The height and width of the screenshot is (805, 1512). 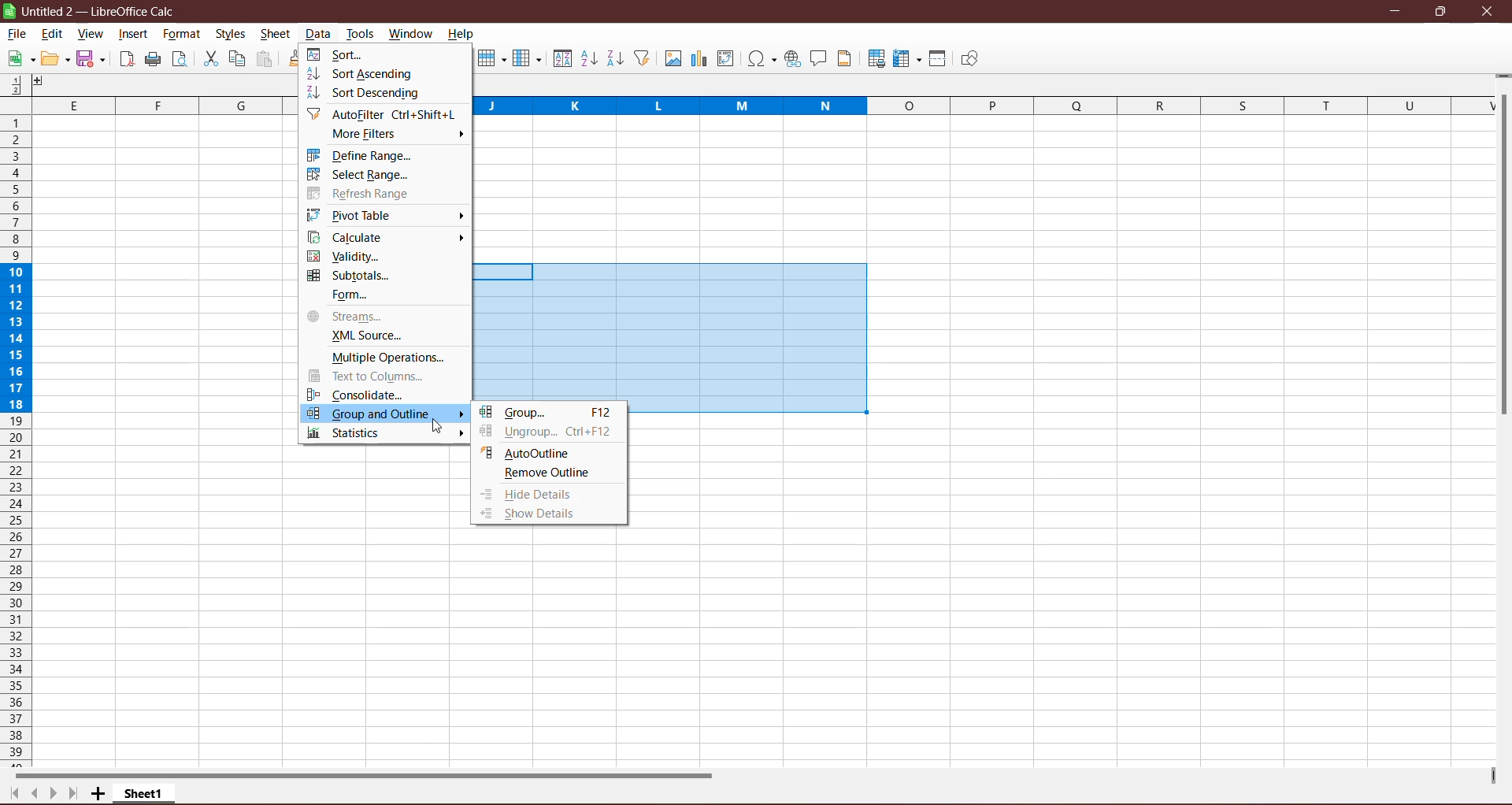 What do you see at coordinates (103, 11) in the screenshot?
I see `Document Title - Application Name` at bounding box center [103, 11].